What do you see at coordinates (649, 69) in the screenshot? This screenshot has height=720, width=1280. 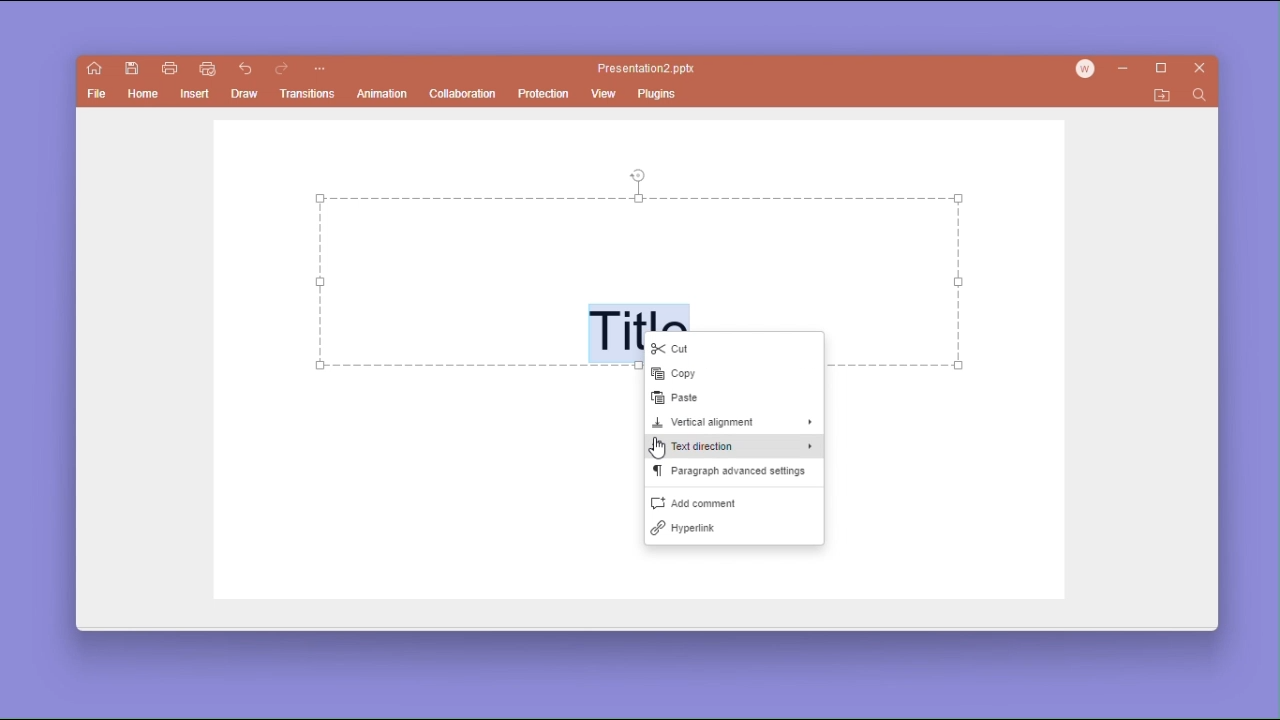 I see `Presentation2 pptx.` at bounding box center [649, 69].